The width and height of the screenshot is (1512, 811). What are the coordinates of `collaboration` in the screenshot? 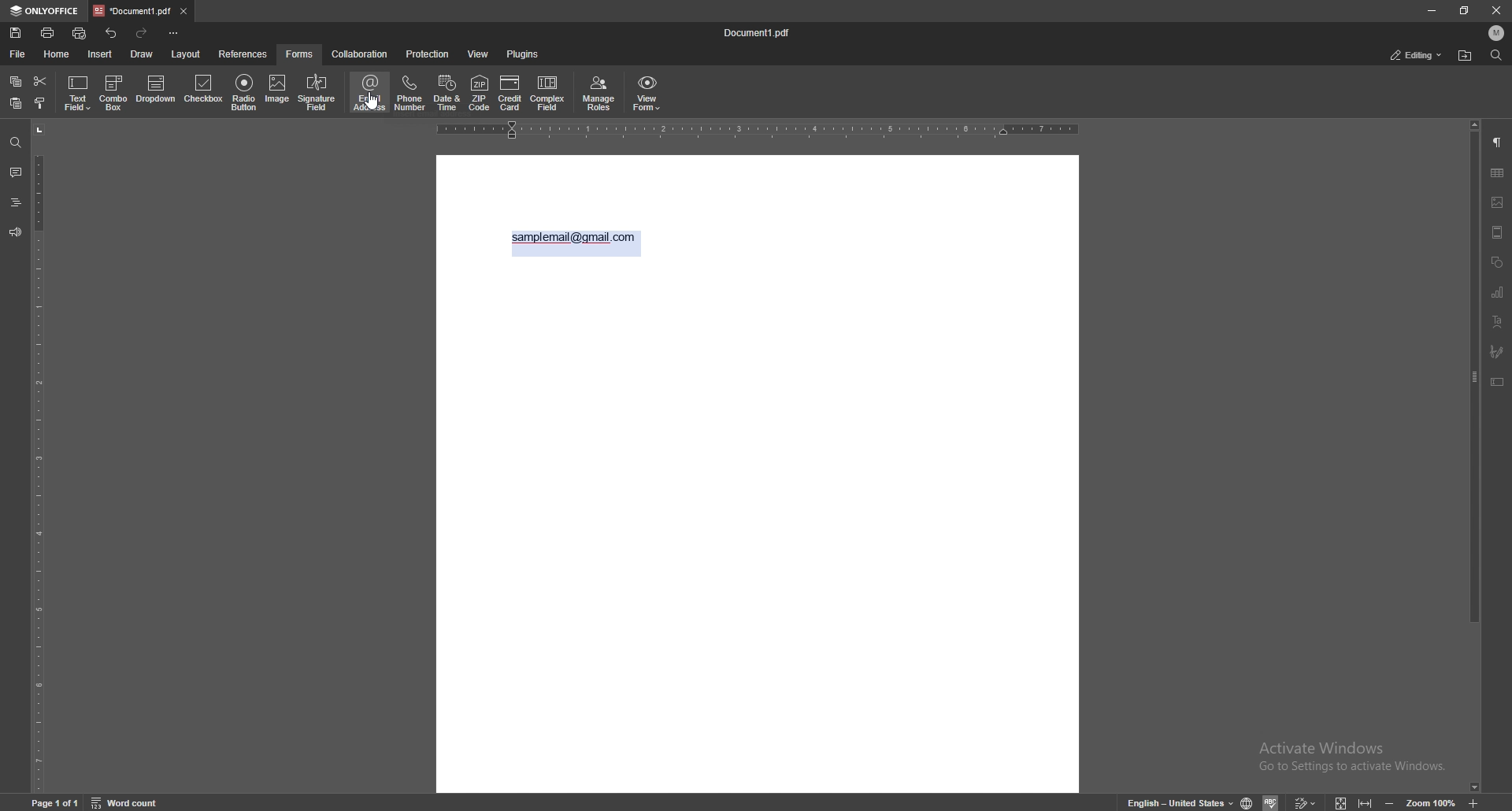 It's located at (360, 54).